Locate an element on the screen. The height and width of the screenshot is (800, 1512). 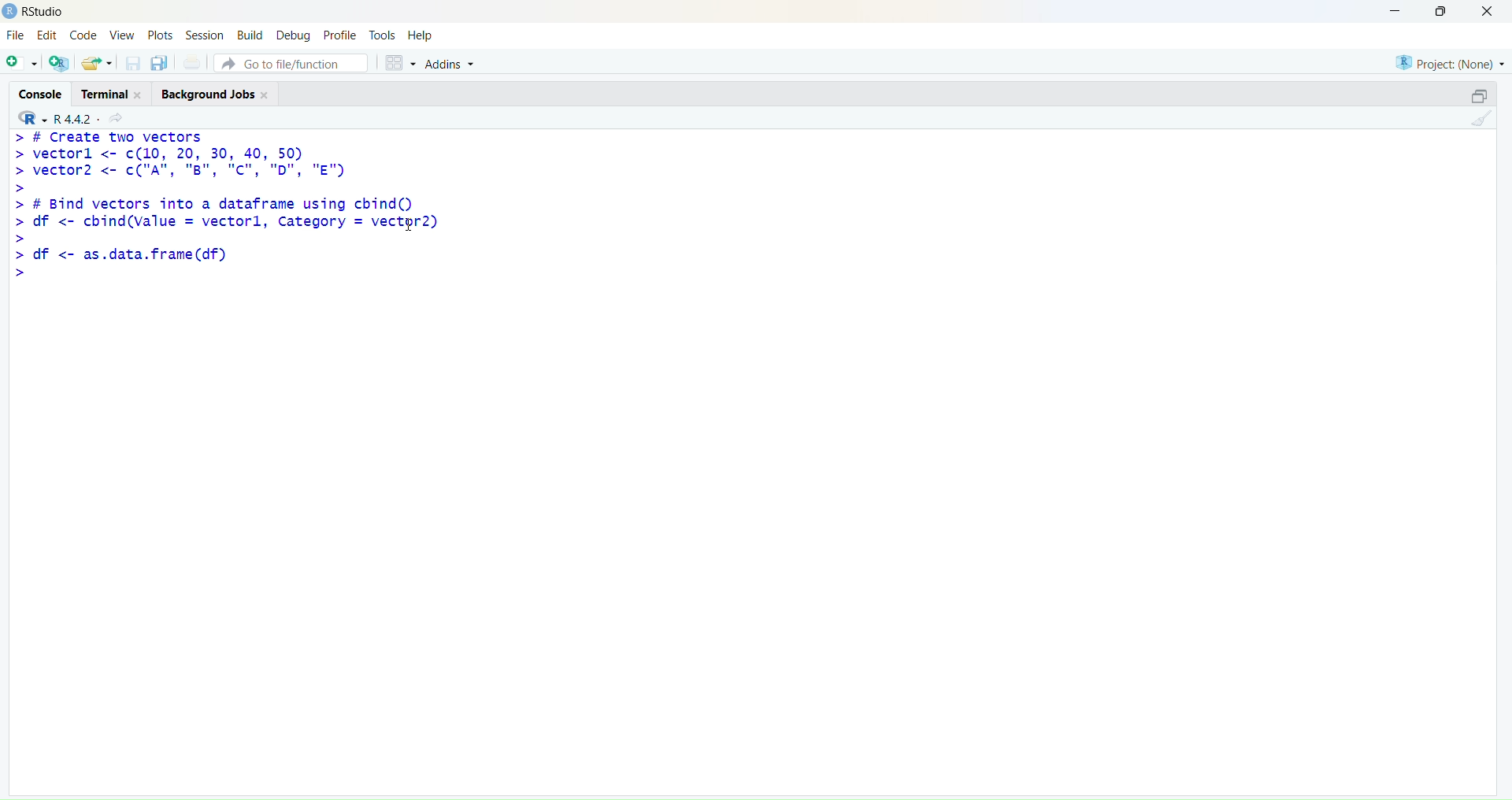
View current directory is located at coordinates (118, 119).